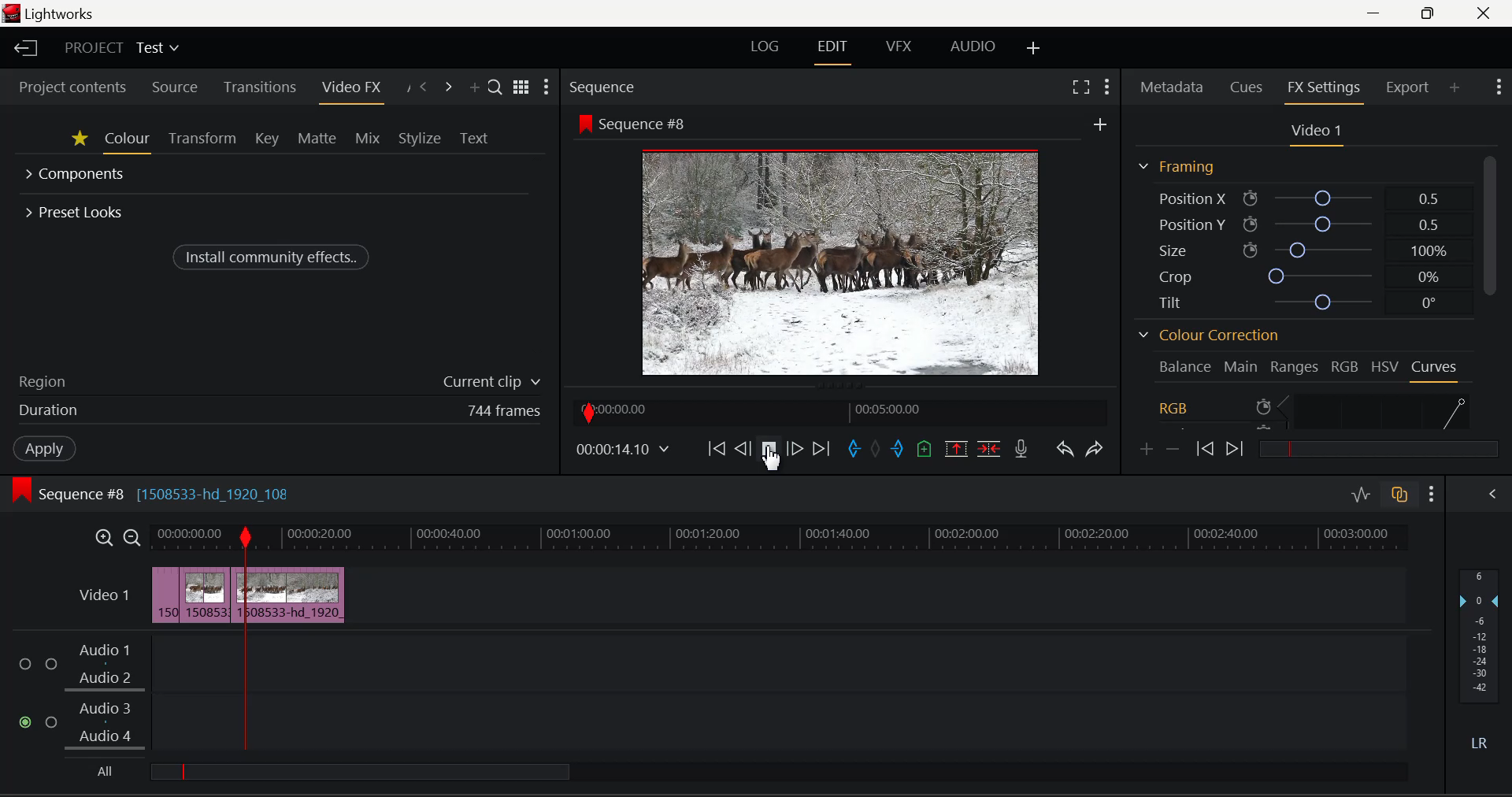 Image resolution: width=1512 pixels, height=797 pixels. What do you see at coordinates (448, 85) in the screenshot?
I see `Next Panel` at bounding box center [448, 85].